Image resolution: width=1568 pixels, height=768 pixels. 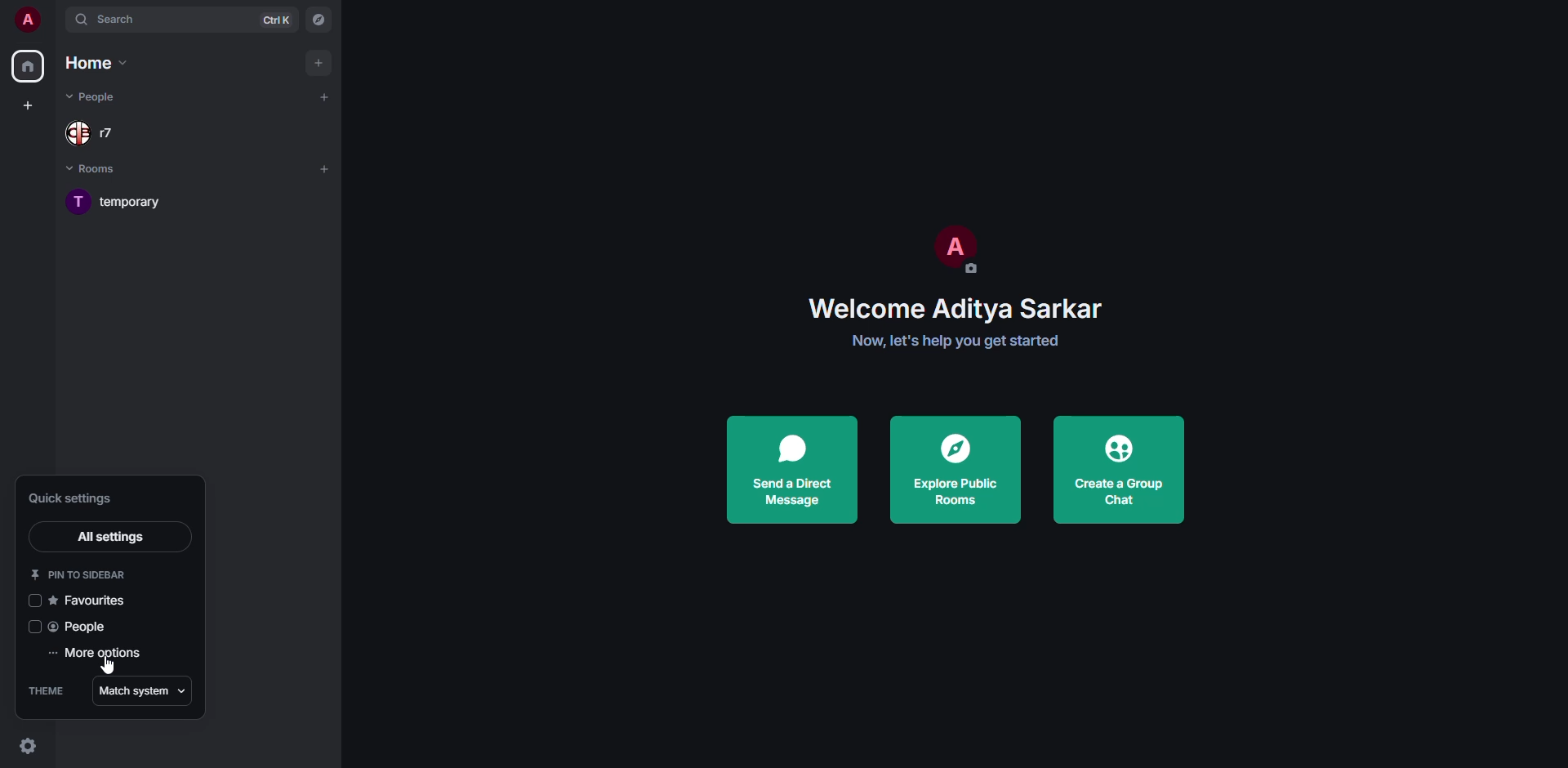 What do you see at coordinates (140, 690) in the screenshot?
I see `match system` at bounding box center [140, 690].